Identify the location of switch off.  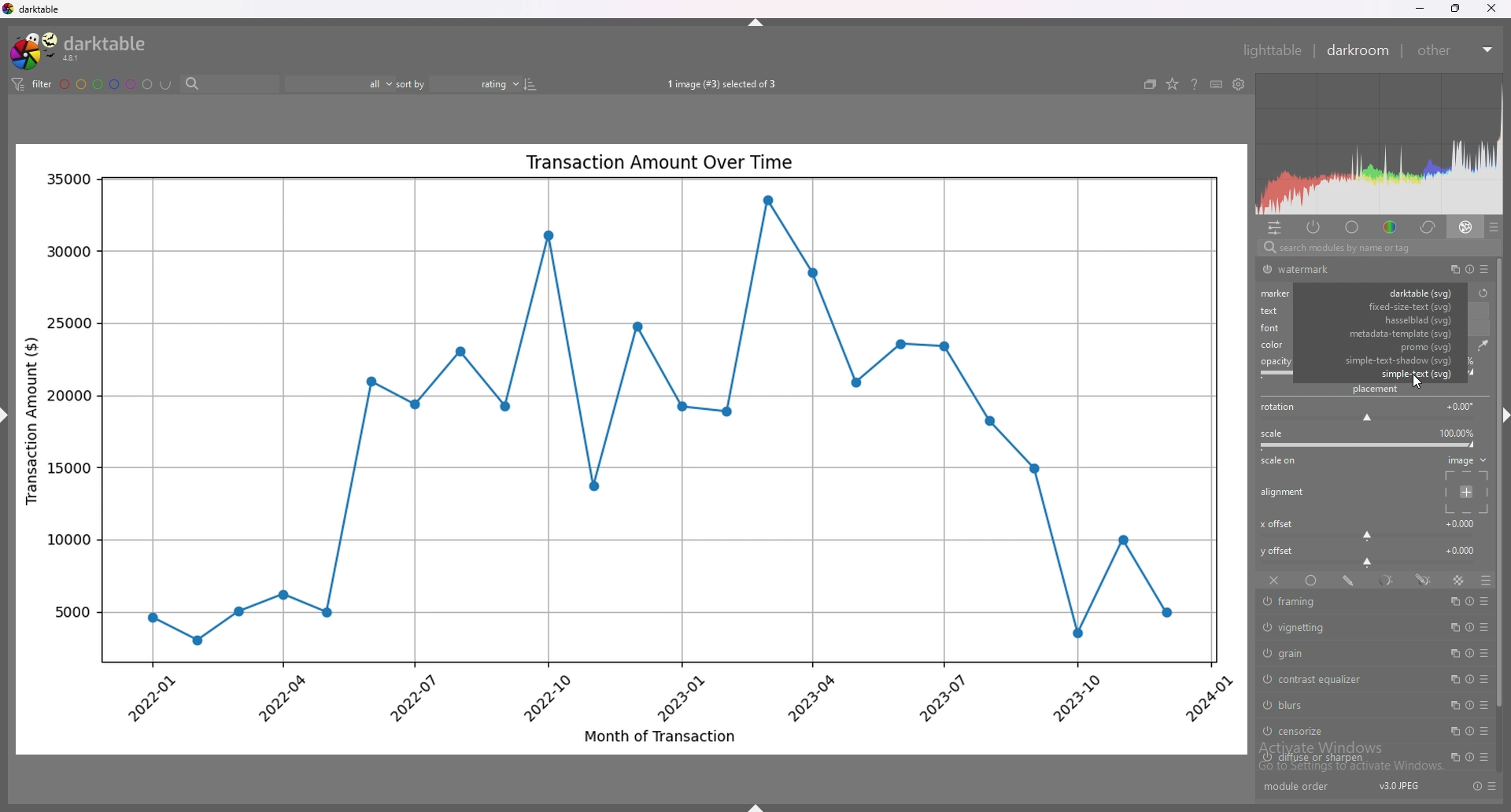
(1267, 706).